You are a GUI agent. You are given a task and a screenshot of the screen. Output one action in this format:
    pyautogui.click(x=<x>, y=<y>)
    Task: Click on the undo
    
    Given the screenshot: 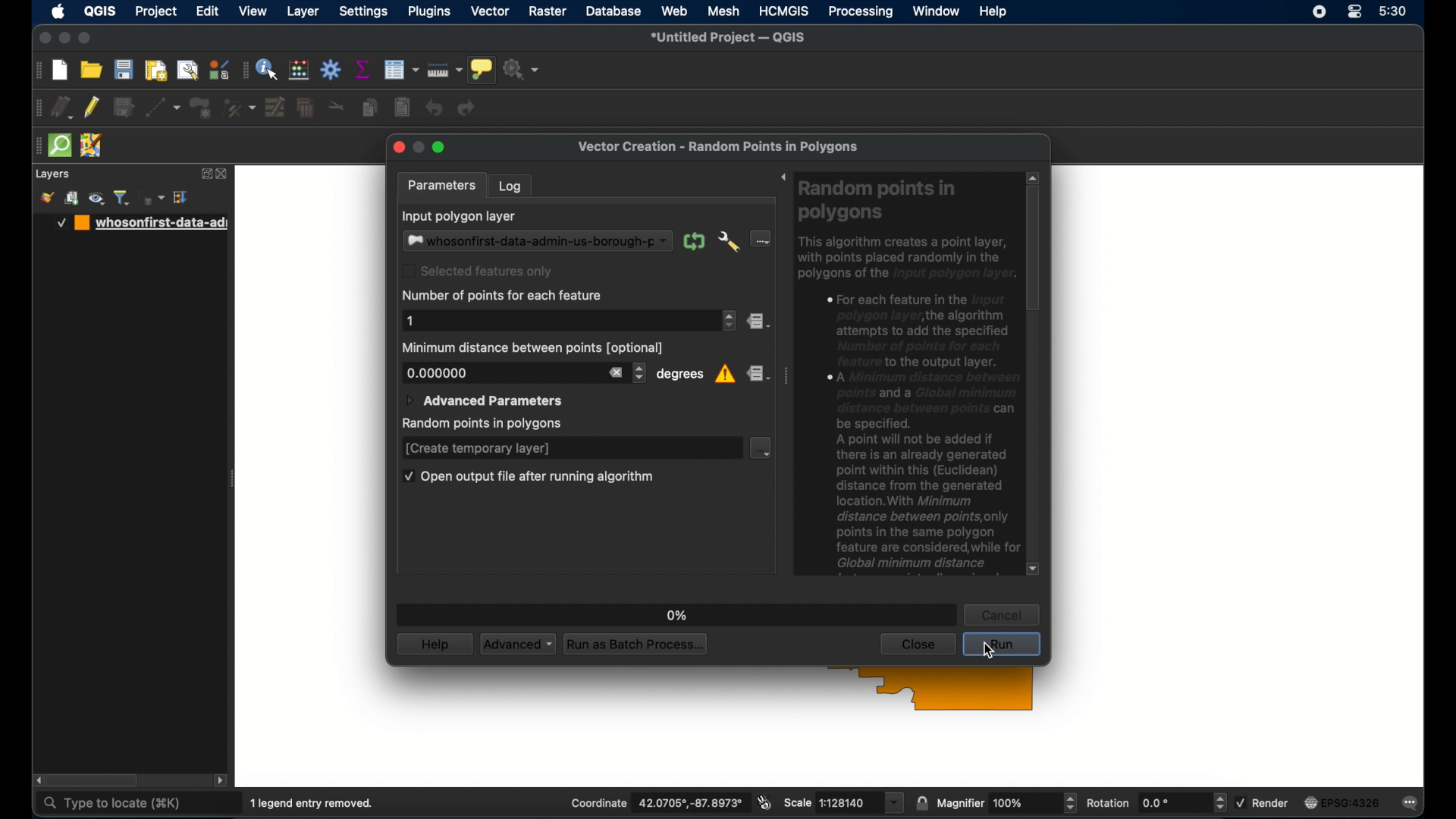 What is the action you would take?
    pyautogui.click(x=435, y=108)
    